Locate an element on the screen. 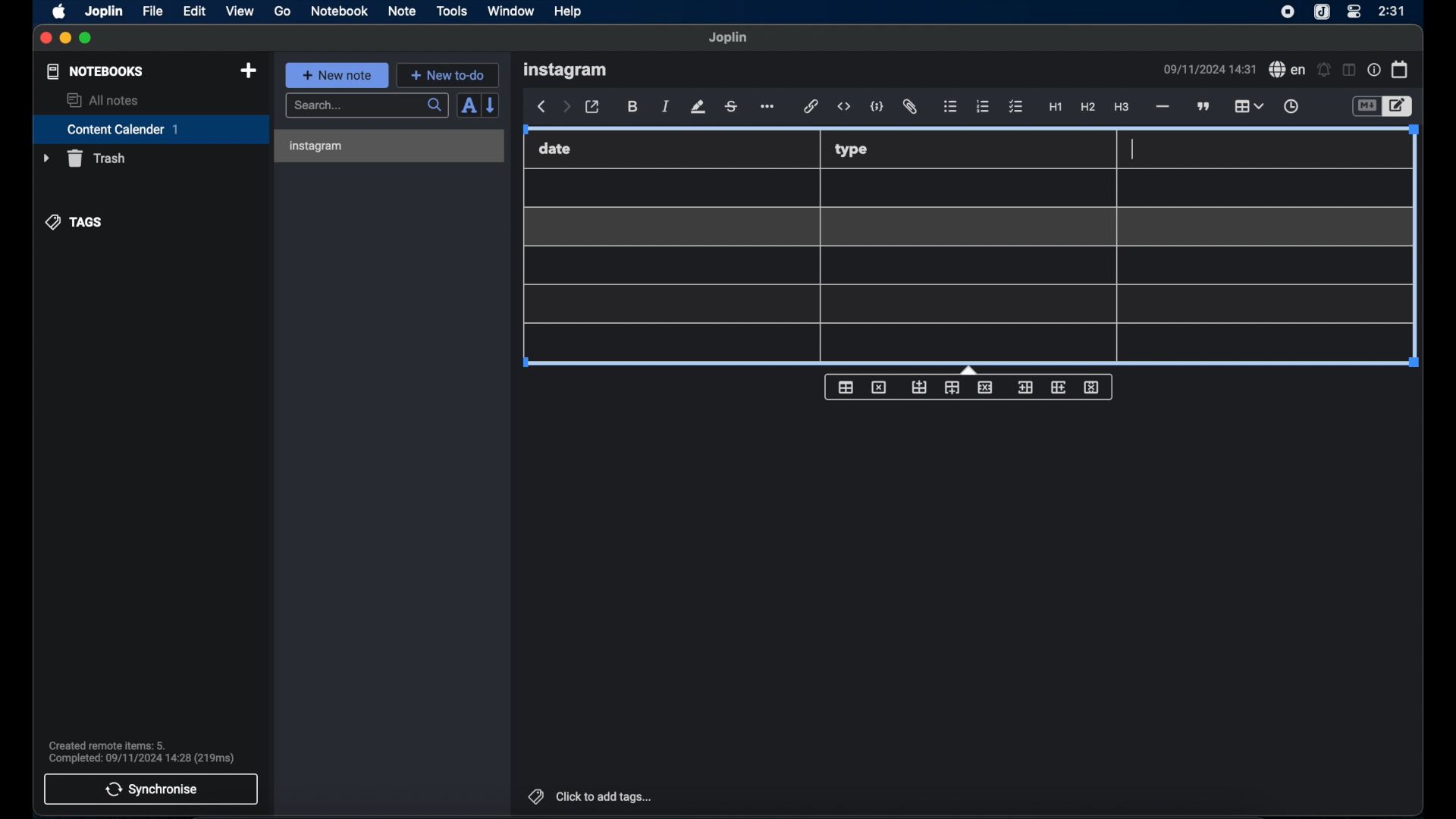  synchronise is located at coordinates (151, 789).